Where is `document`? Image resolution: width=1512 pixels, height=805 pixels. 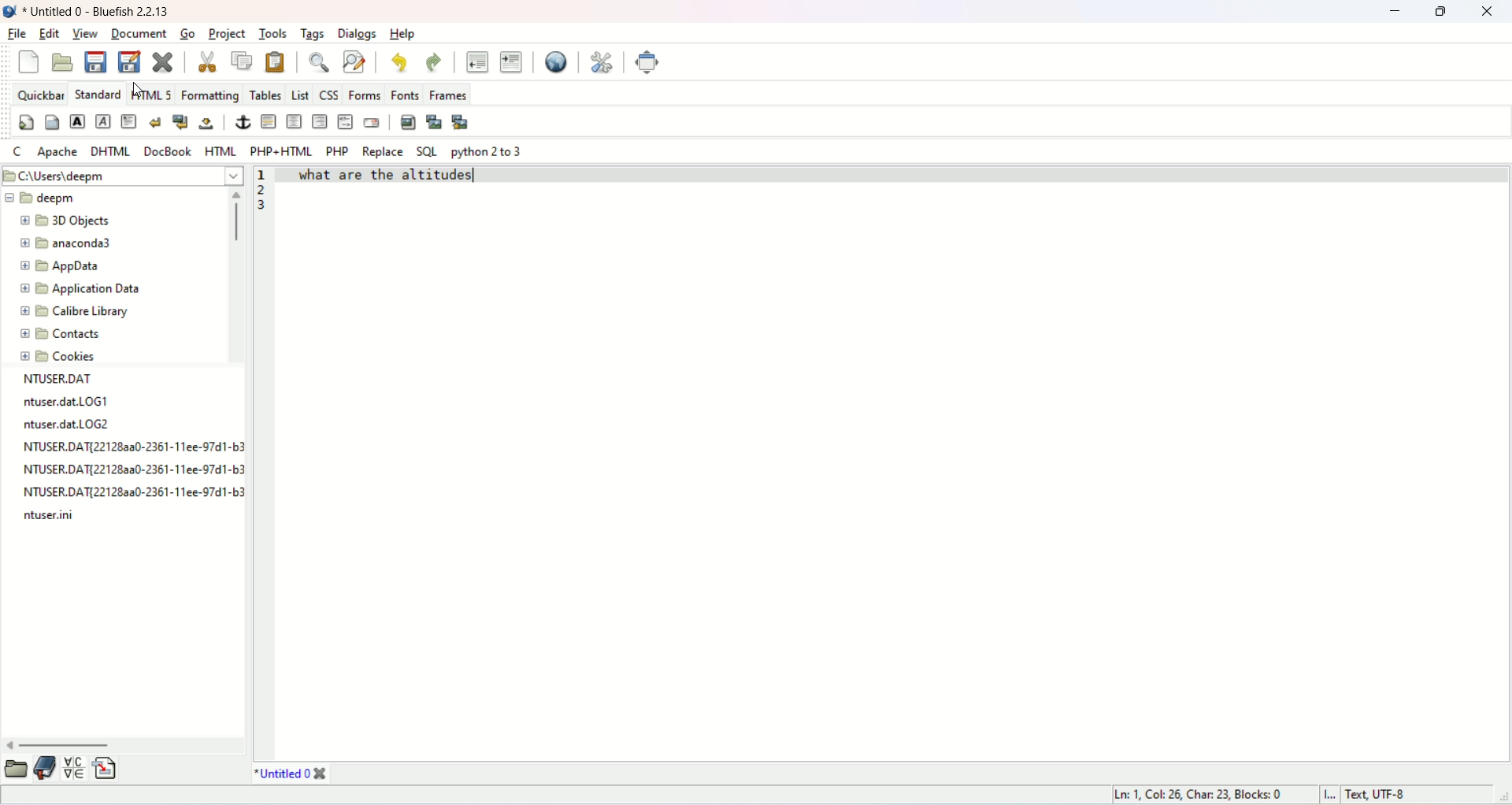
document is located at coordinates (137, 33).